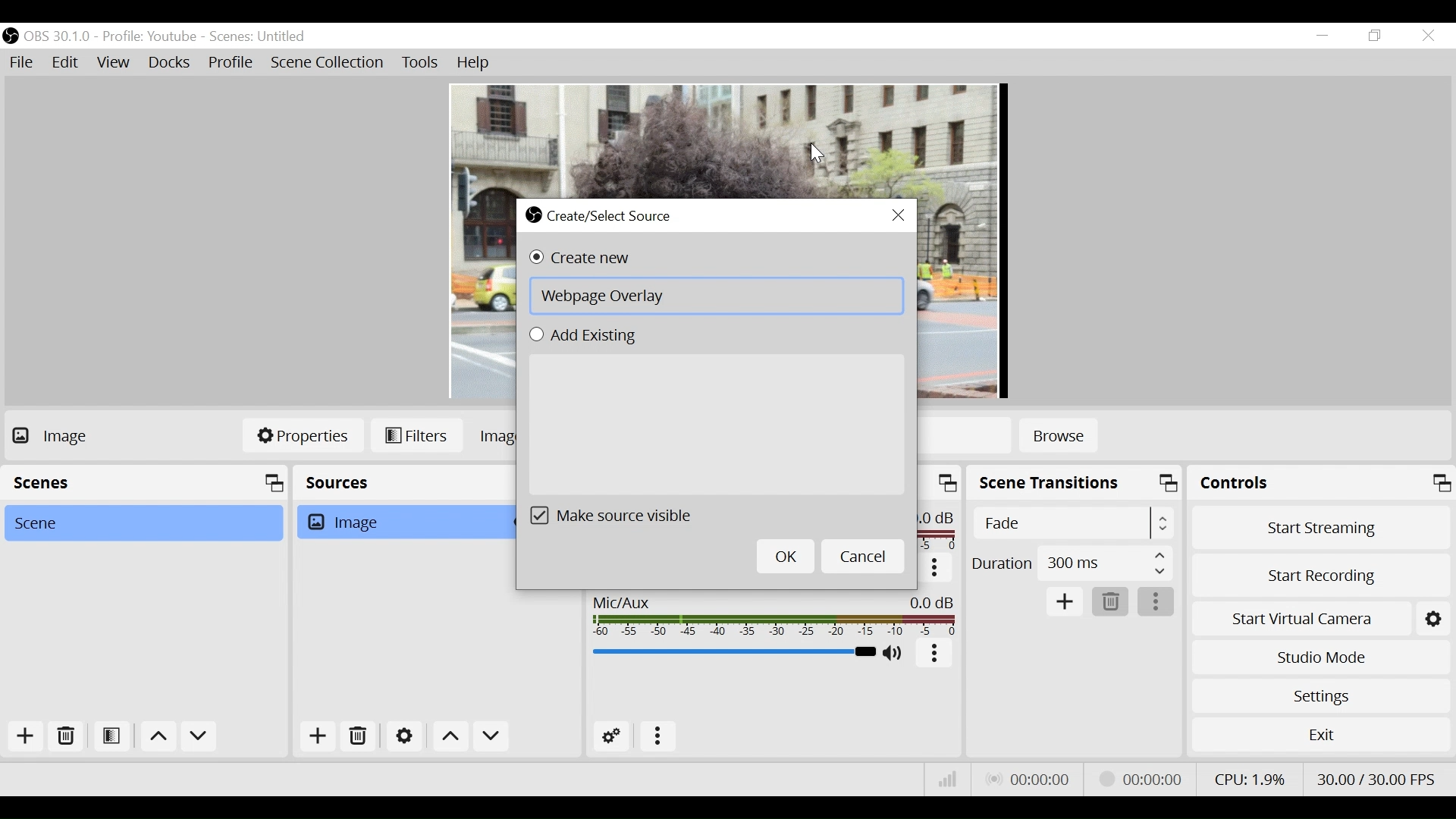  Describe the element at coordinates (160, 737) in the screenshot. I see `move up` at that location.